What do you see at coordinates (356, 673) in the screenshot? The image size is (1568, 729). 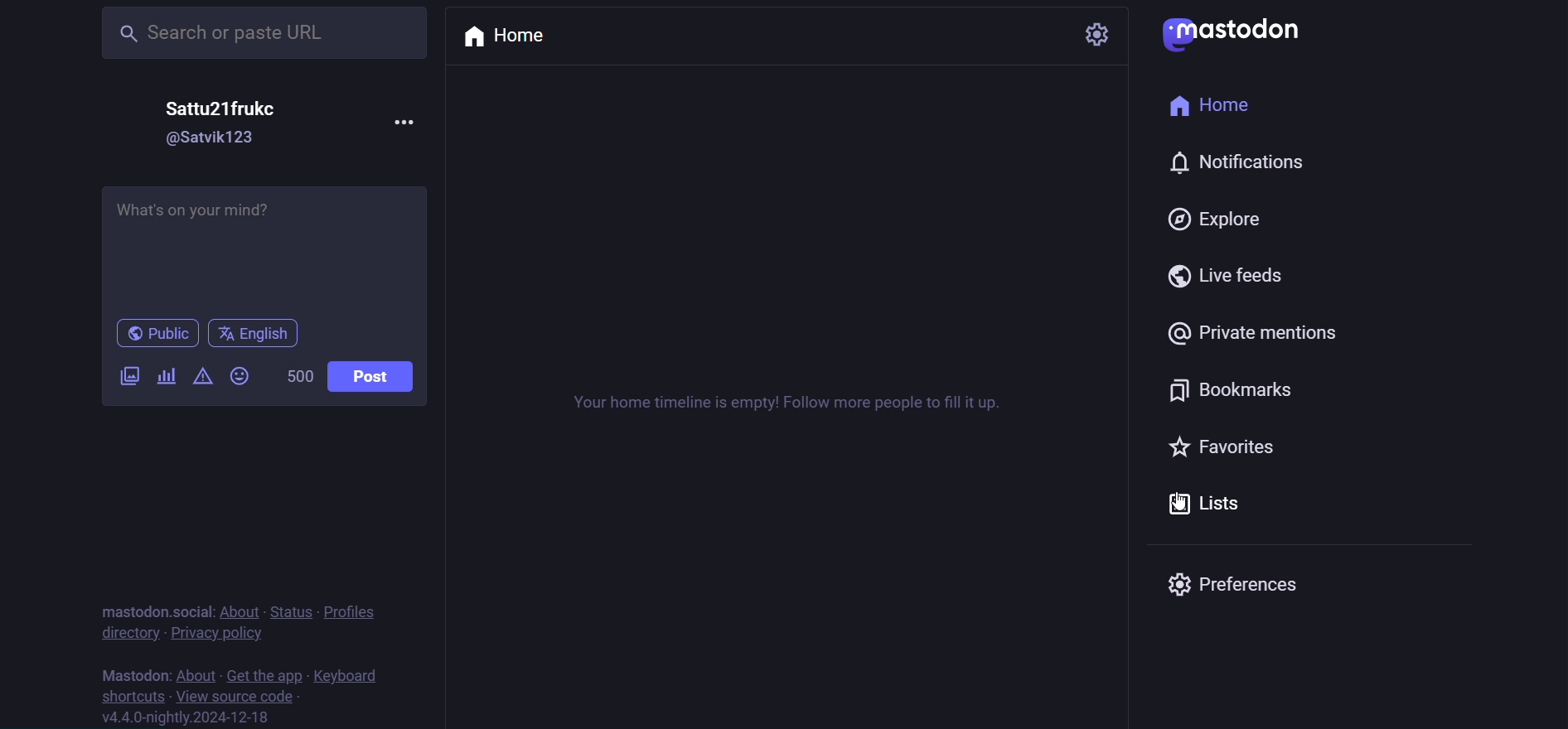 I see `keyboard` at bounding box center [356, 673].